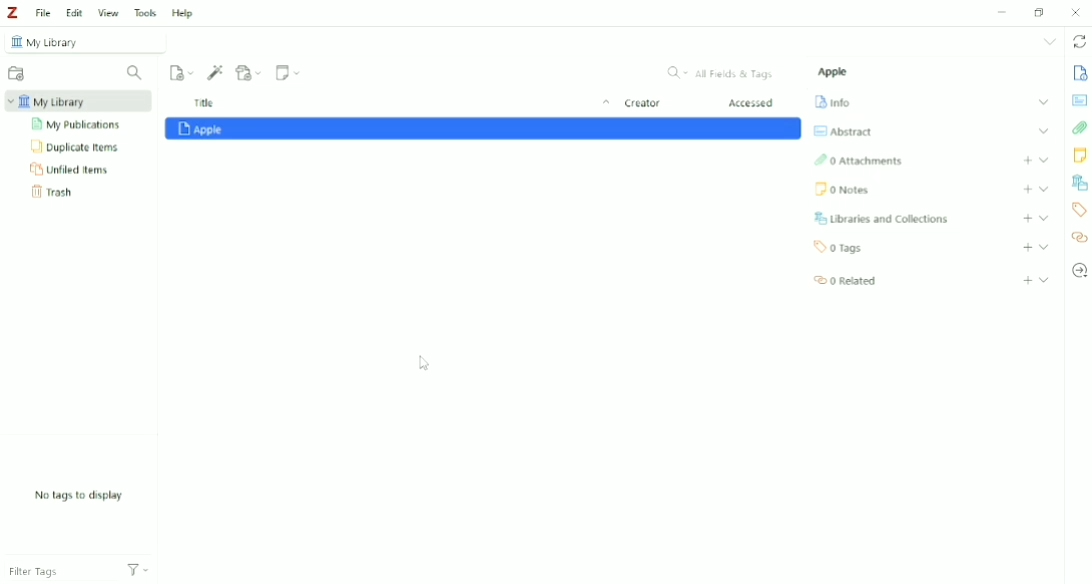 The height and width of the screenshot is (584, 1092). Describe the element at coordinates (719, 73) in the screenshot. I see `All Fields & Tags` at that location.